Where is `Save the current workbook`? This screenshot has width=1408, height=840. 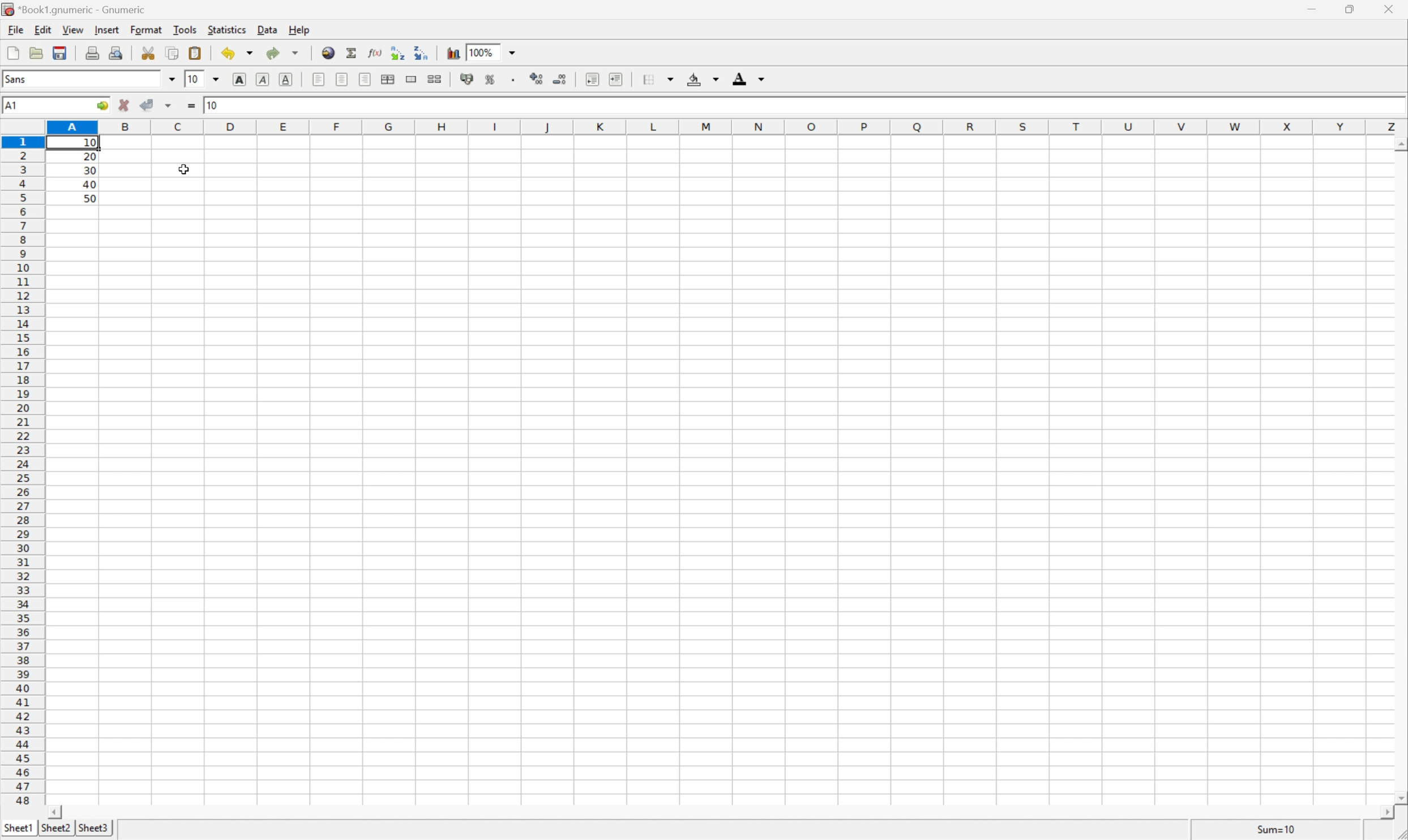 Save the current workbook is located at coordinates (60, 52).